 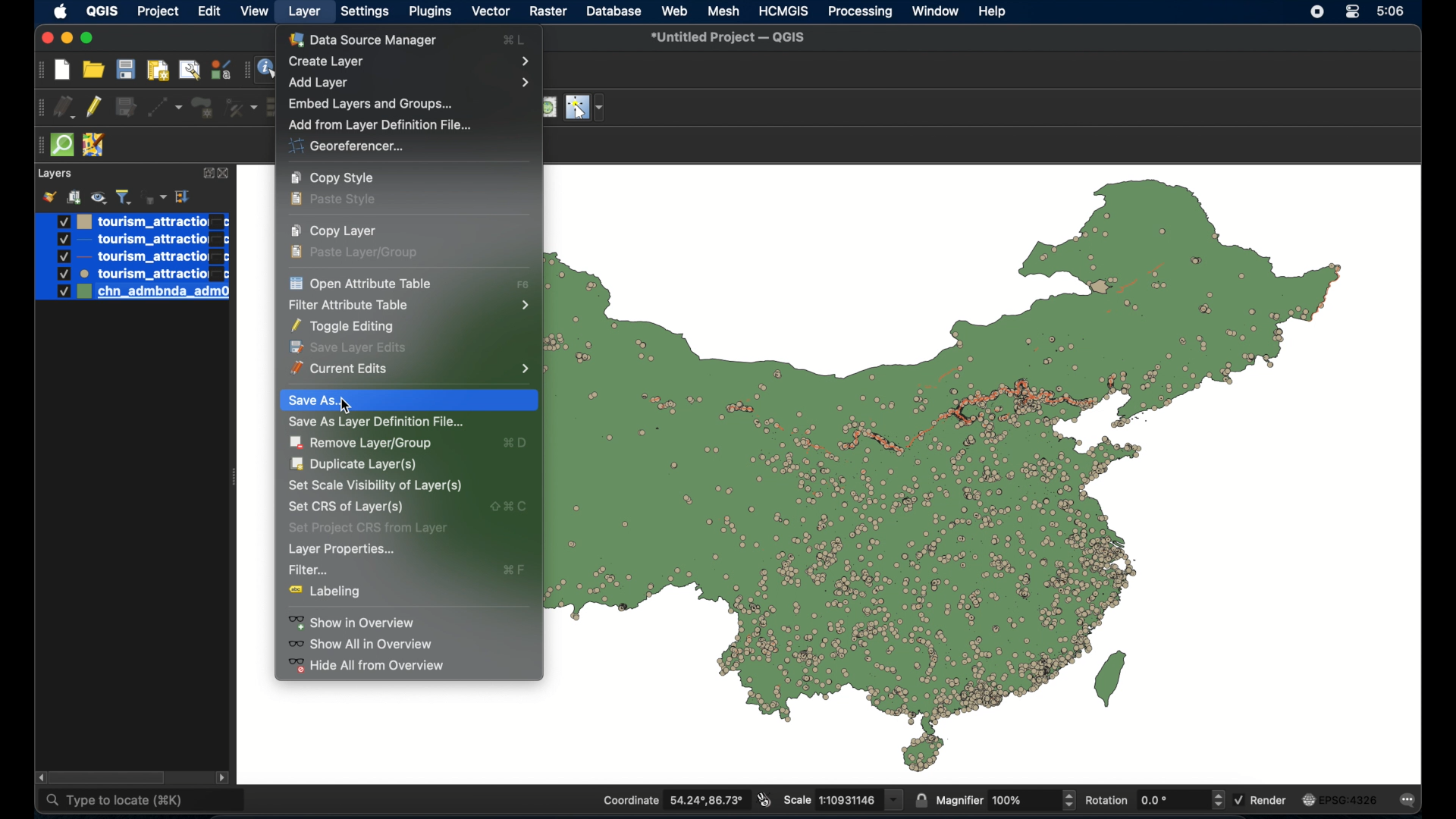 I want to click on drag handle, so click(x=39, y=70).